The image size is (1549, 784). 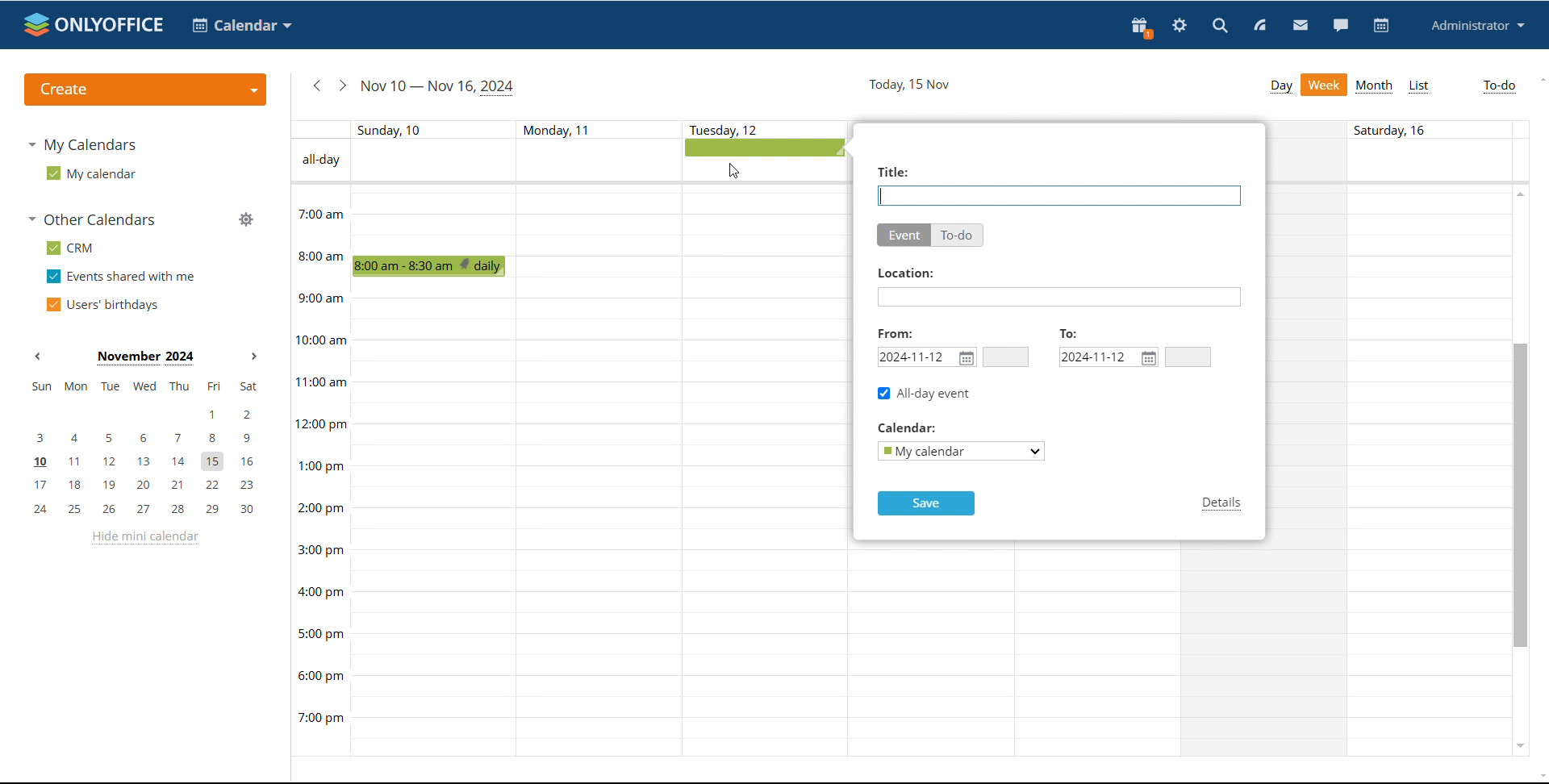 I want to click on add event name, so click(x=1060, y=196).